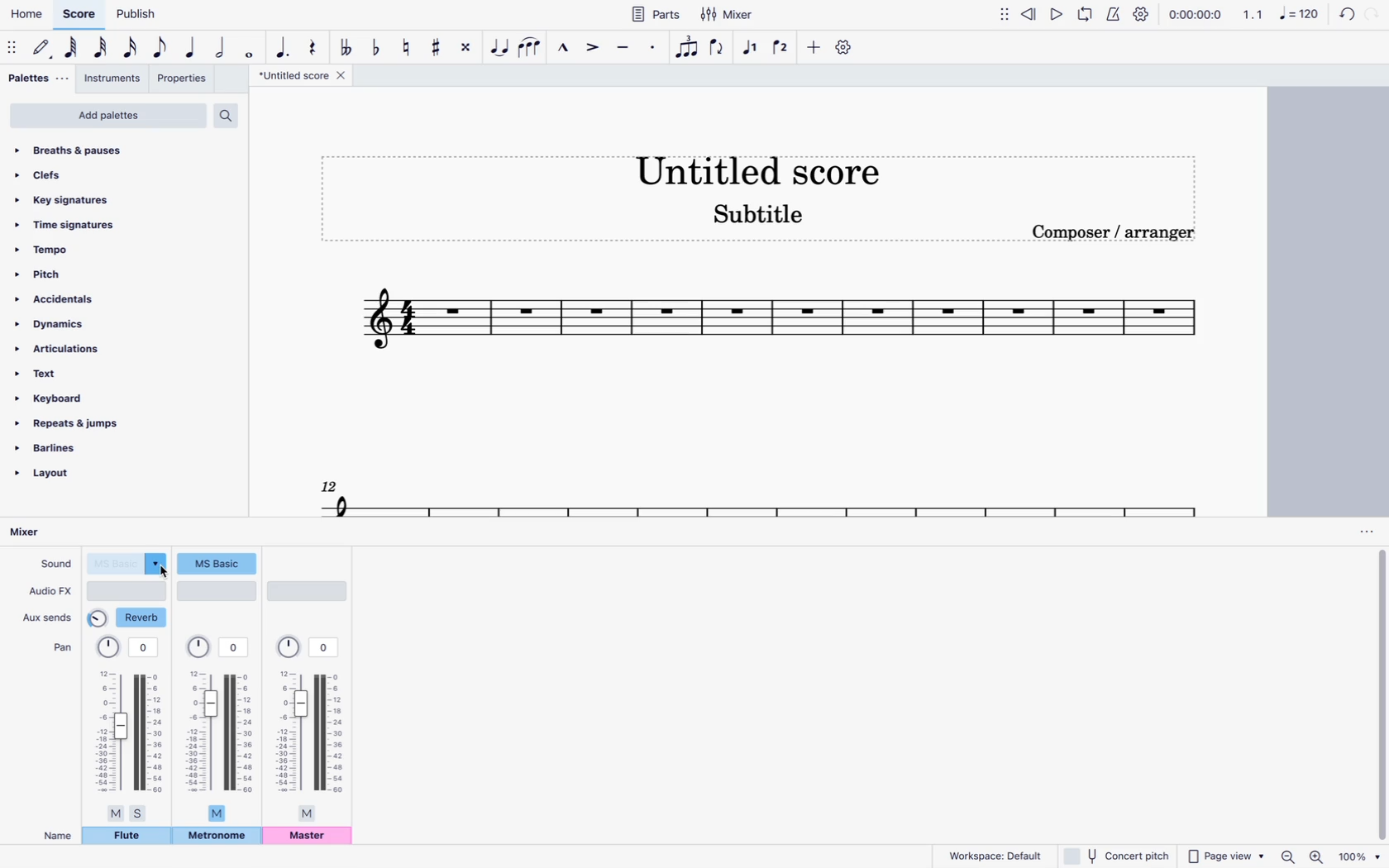 The height and width of the screenshot is (868, 1389). Describe the element at coordinates (780, 324) in the screenshot. I see `scale` at that location.